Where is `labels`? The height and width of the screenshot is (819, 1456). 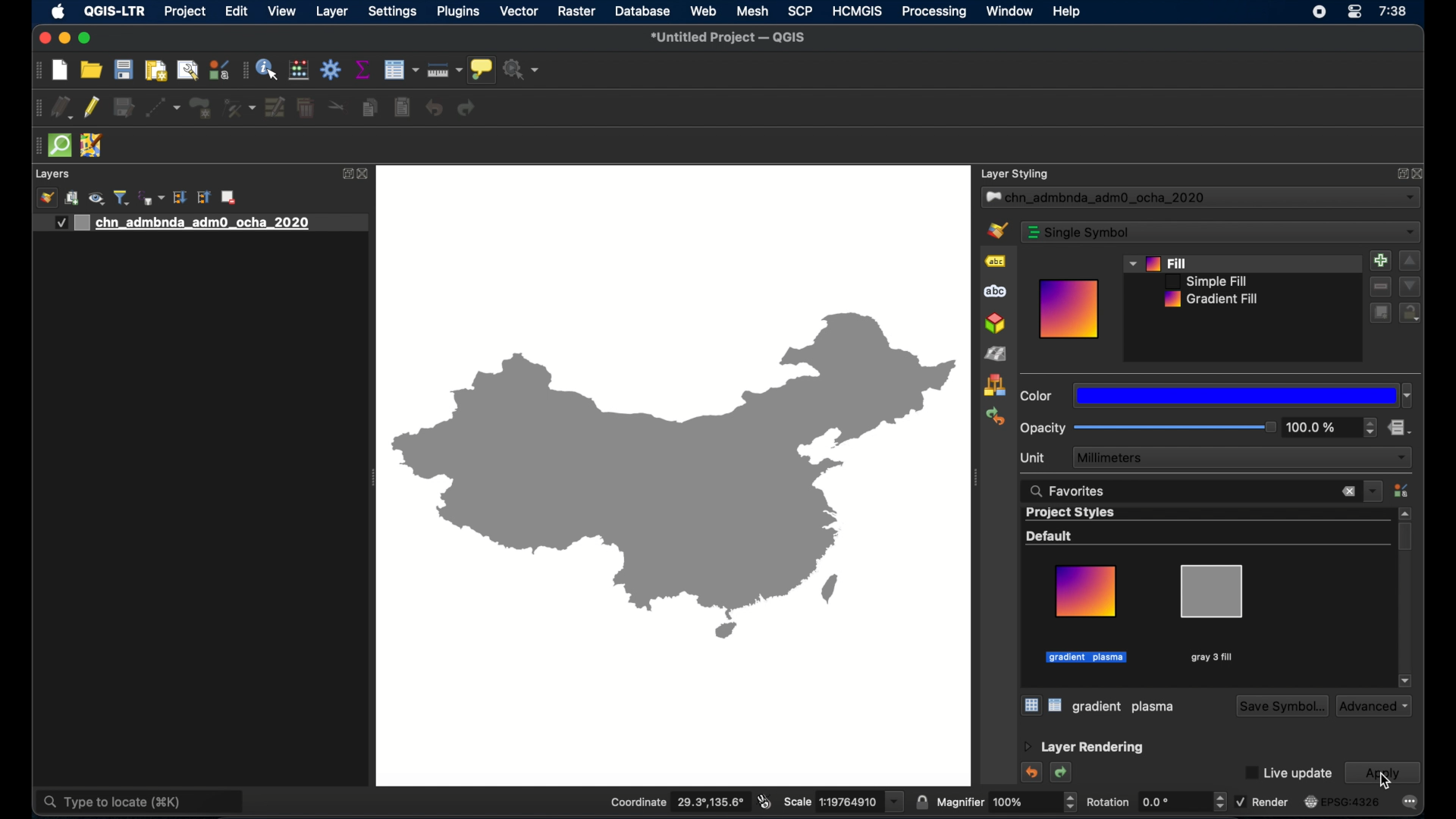 labels is located at coordinates (996, 261).